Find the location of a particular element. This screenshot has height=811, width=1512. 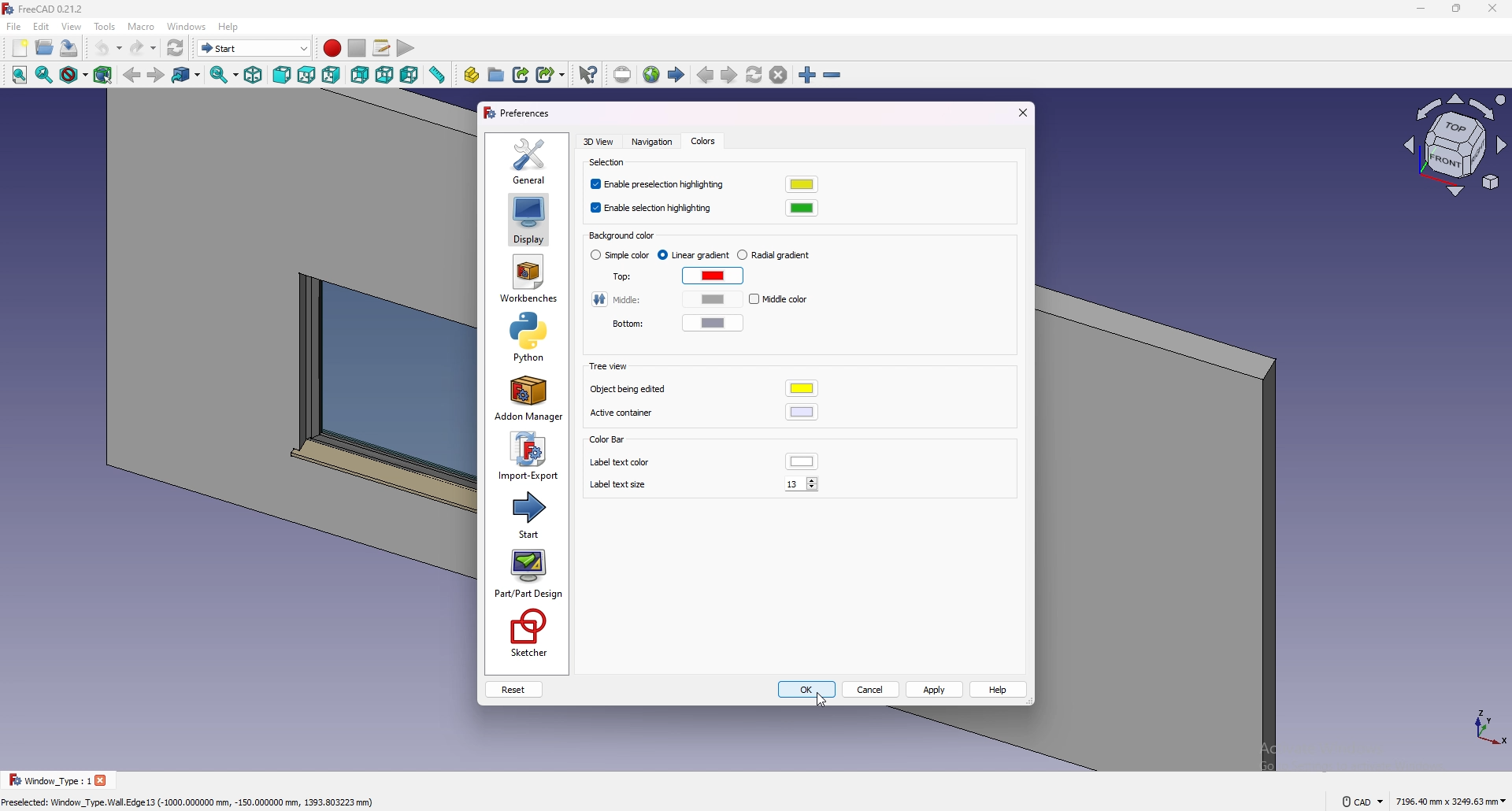

import export is located at coordinates (528, 456).